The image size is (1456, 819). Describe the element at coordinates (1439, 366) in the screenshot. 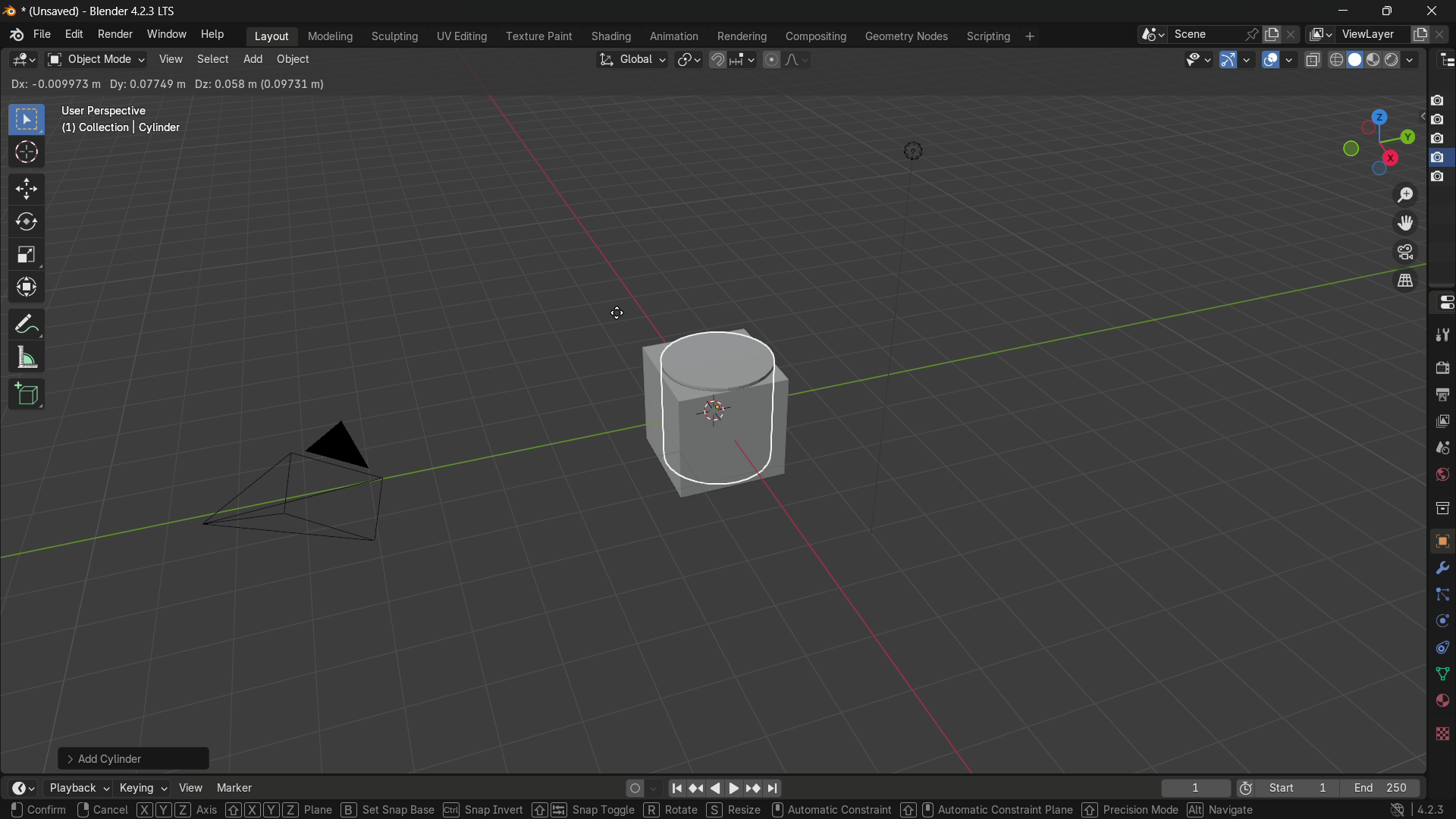

I see `render` at that location.